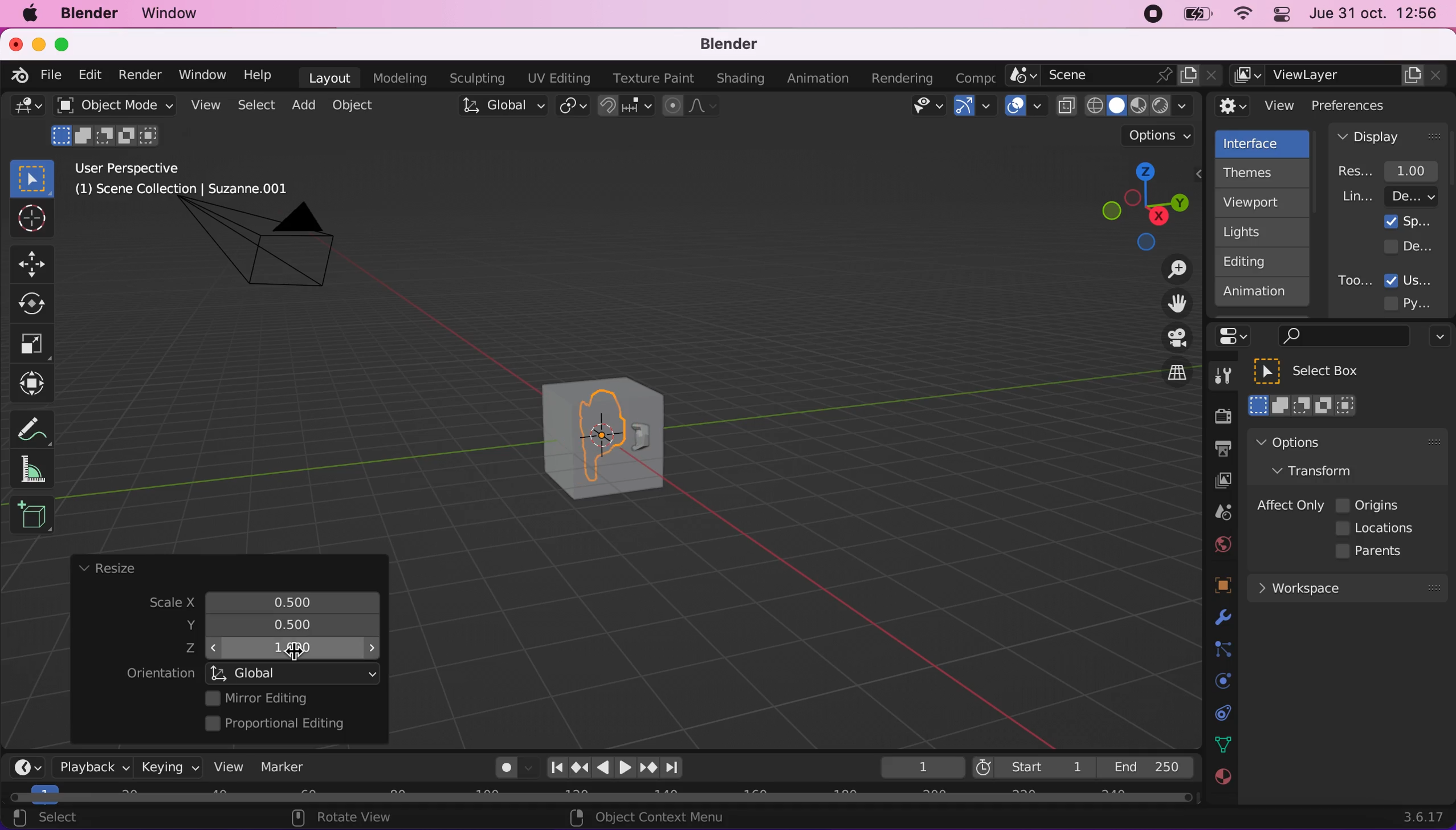  Describe the element at coordinates (30, 219) in the screenshot. I see `` at that location.